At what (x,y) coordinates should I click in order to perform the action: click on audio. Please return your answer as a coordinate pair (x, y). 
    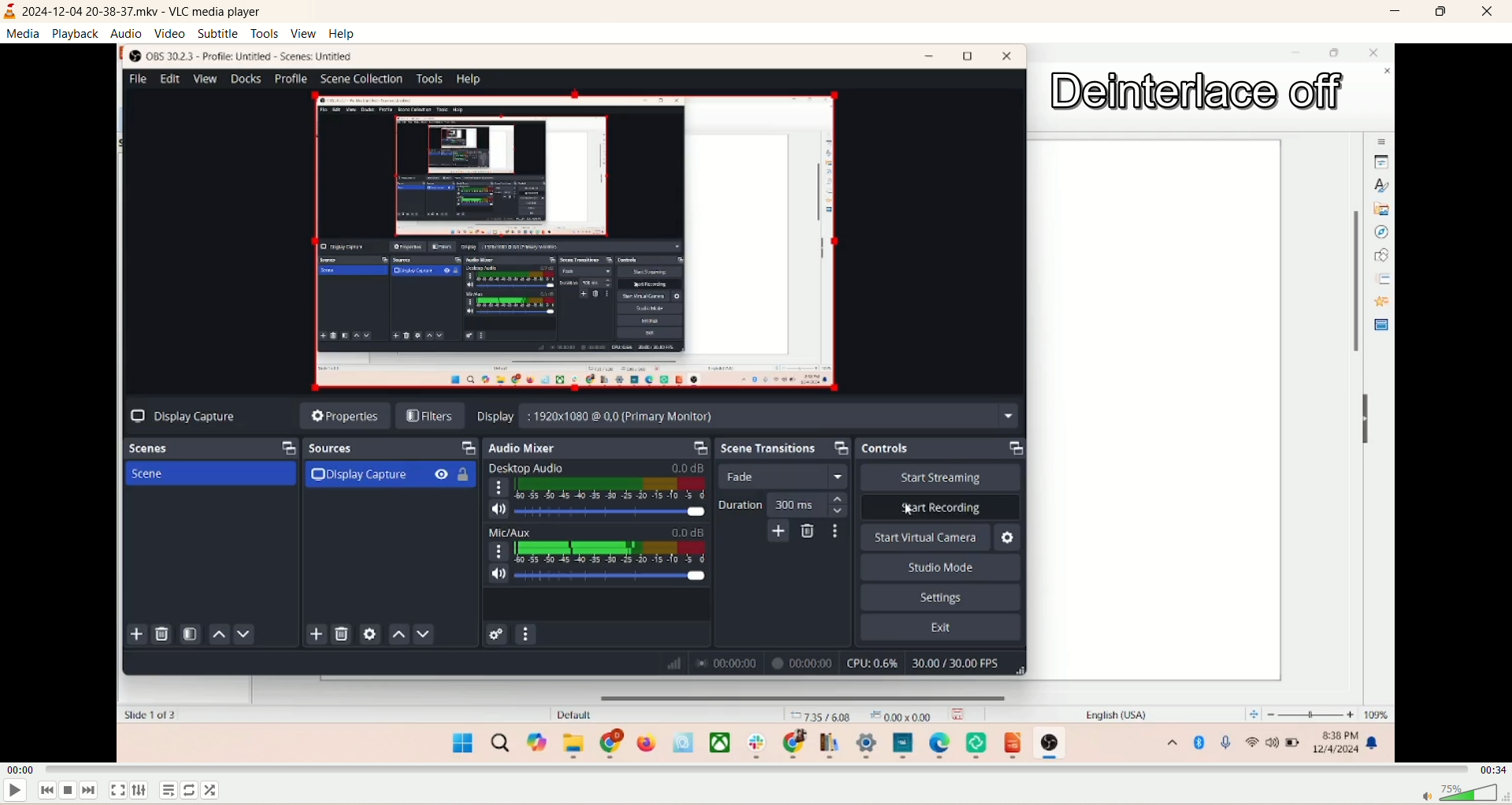
    Looking at the image, I should click on (127, 34).